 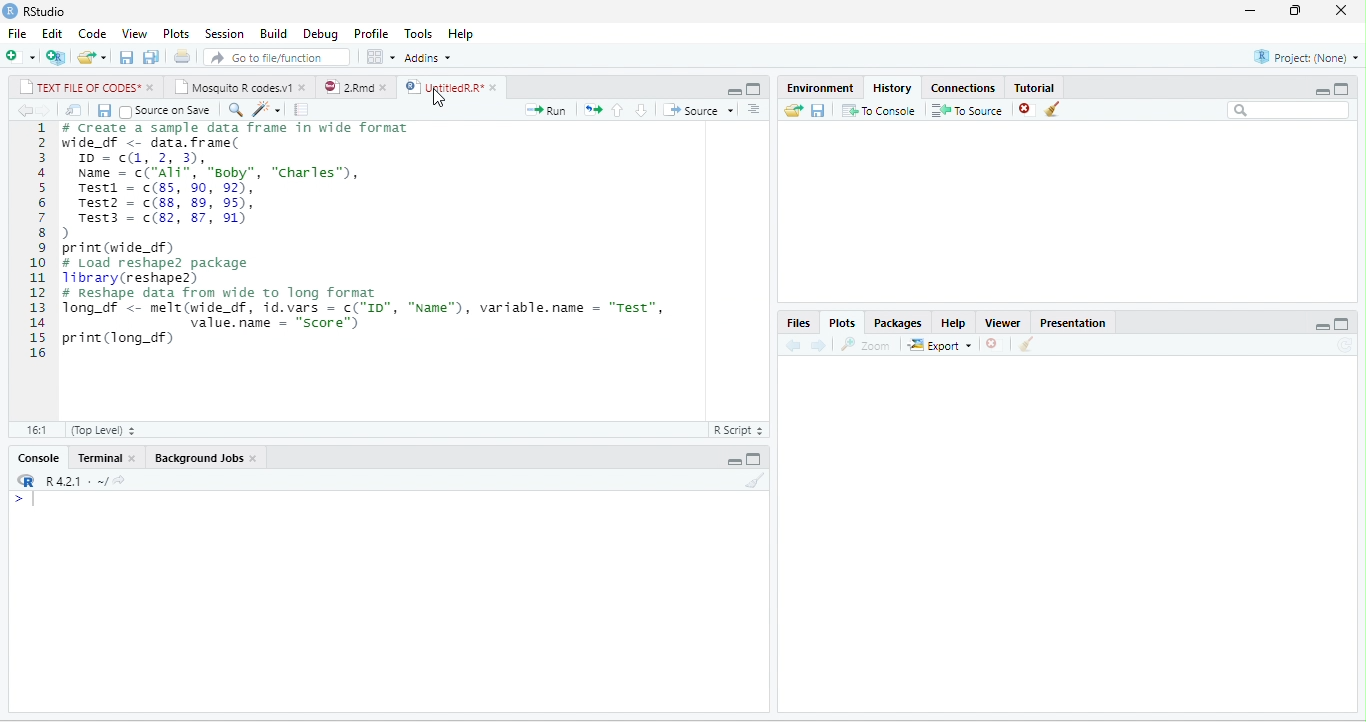 What do you see at coordinates (734, 460) in the screenshot?
I see `minimize` at bounding box center [734, 460].